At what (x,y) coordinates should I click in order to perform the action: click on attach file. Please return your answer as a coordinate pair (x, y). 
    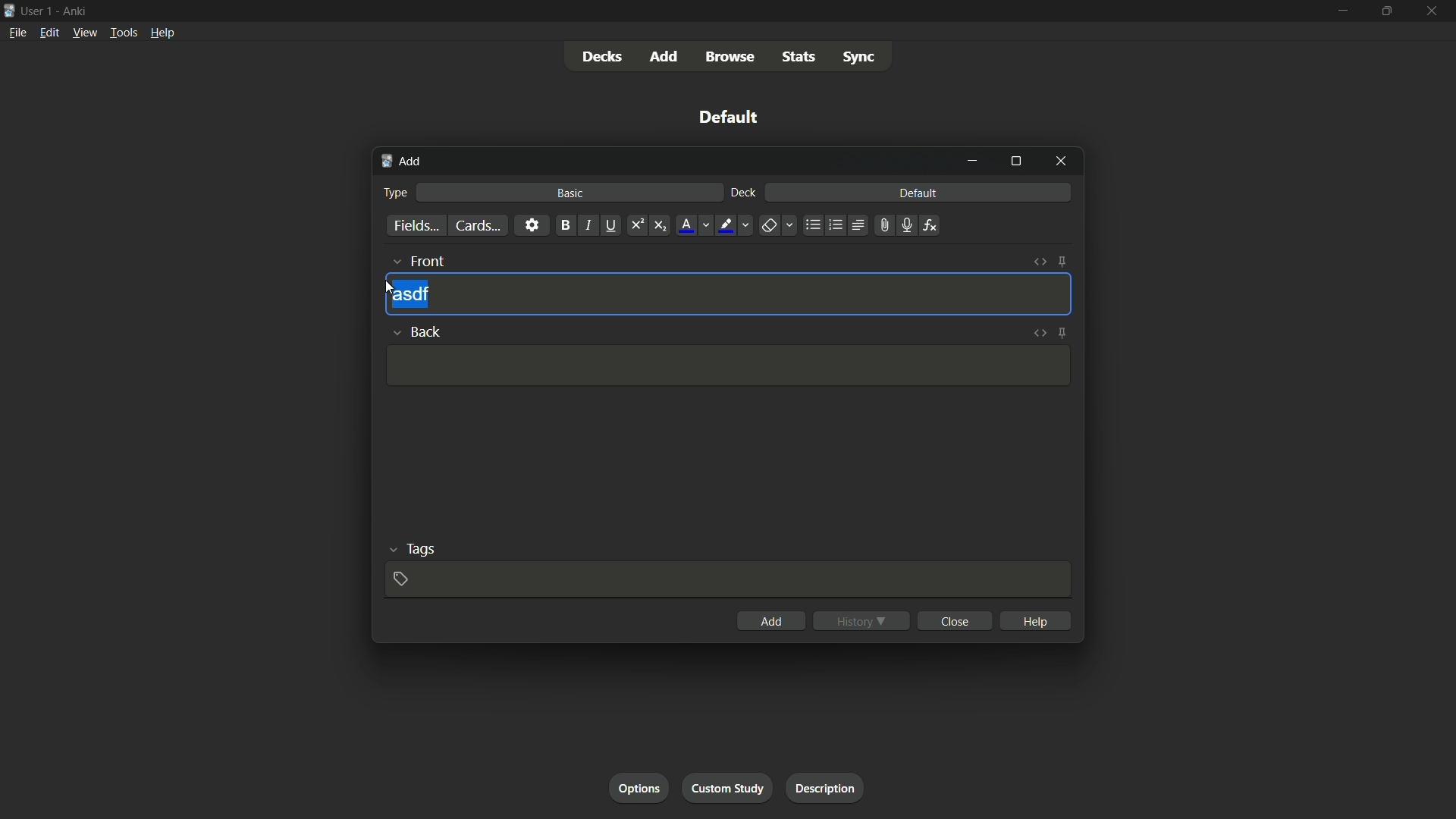
    Looking at the image, I should click on (885, 225).